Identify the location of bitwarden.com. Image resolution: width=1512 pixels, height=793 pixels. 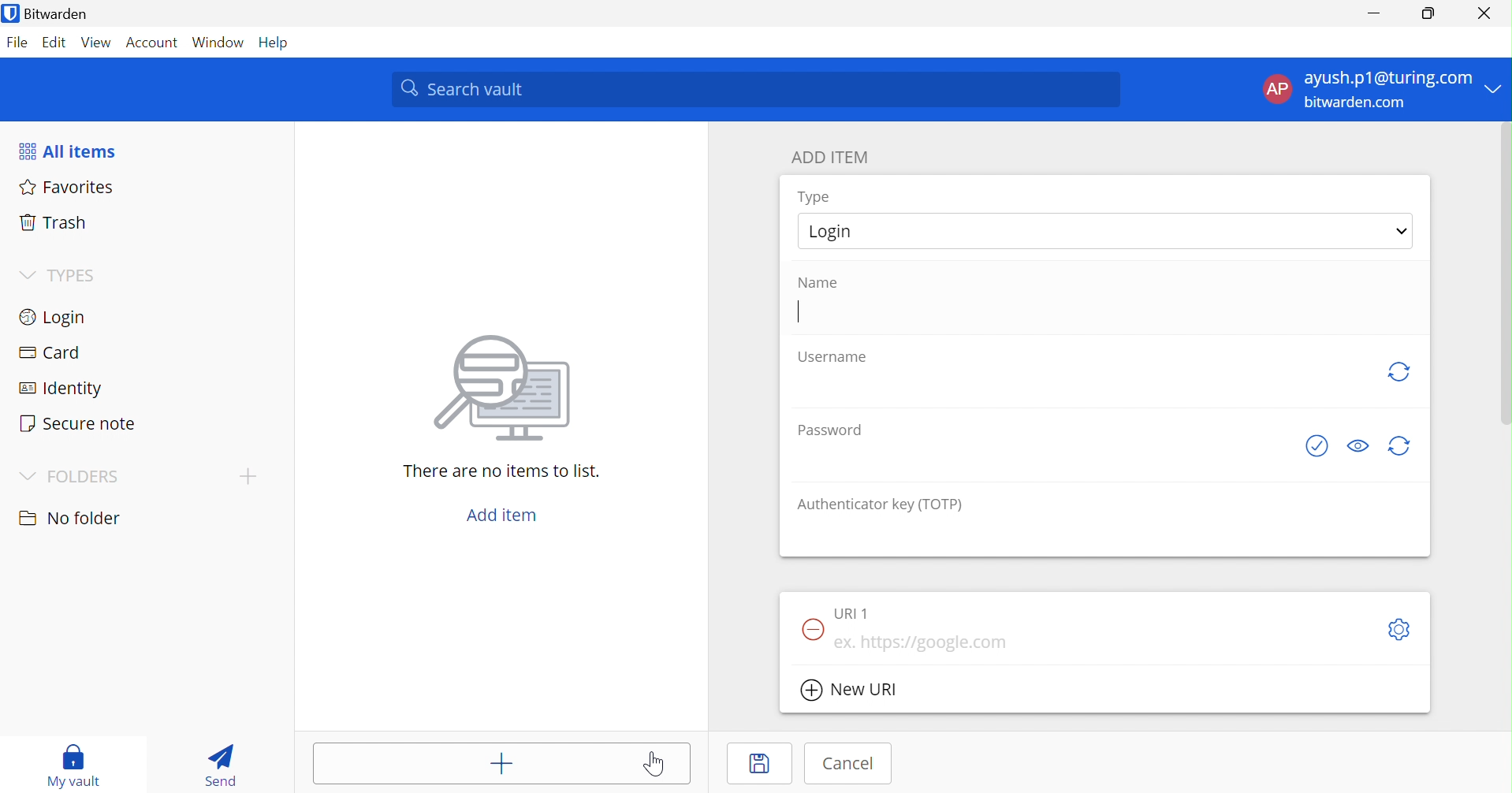
(1354, 102).